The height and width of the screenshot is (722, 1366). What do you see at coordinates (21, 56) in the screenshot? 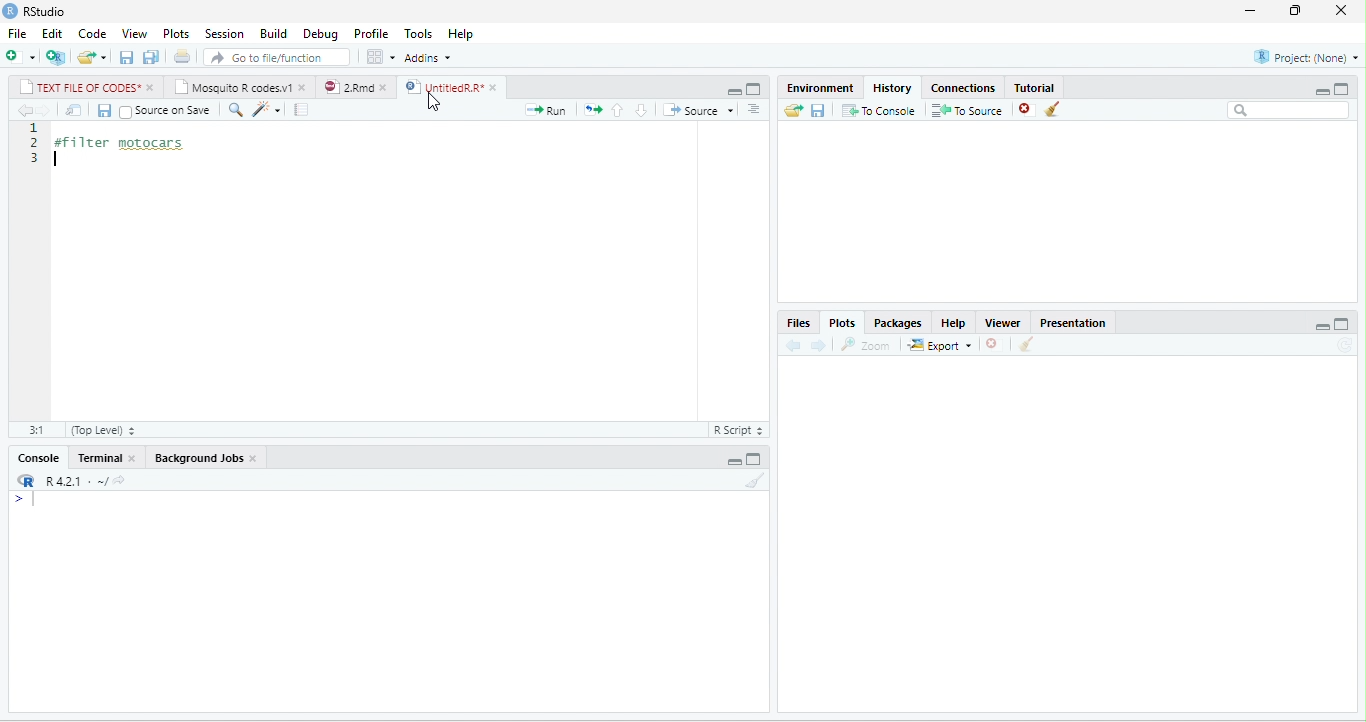
I see `new file` at bounding box center [21, 56].